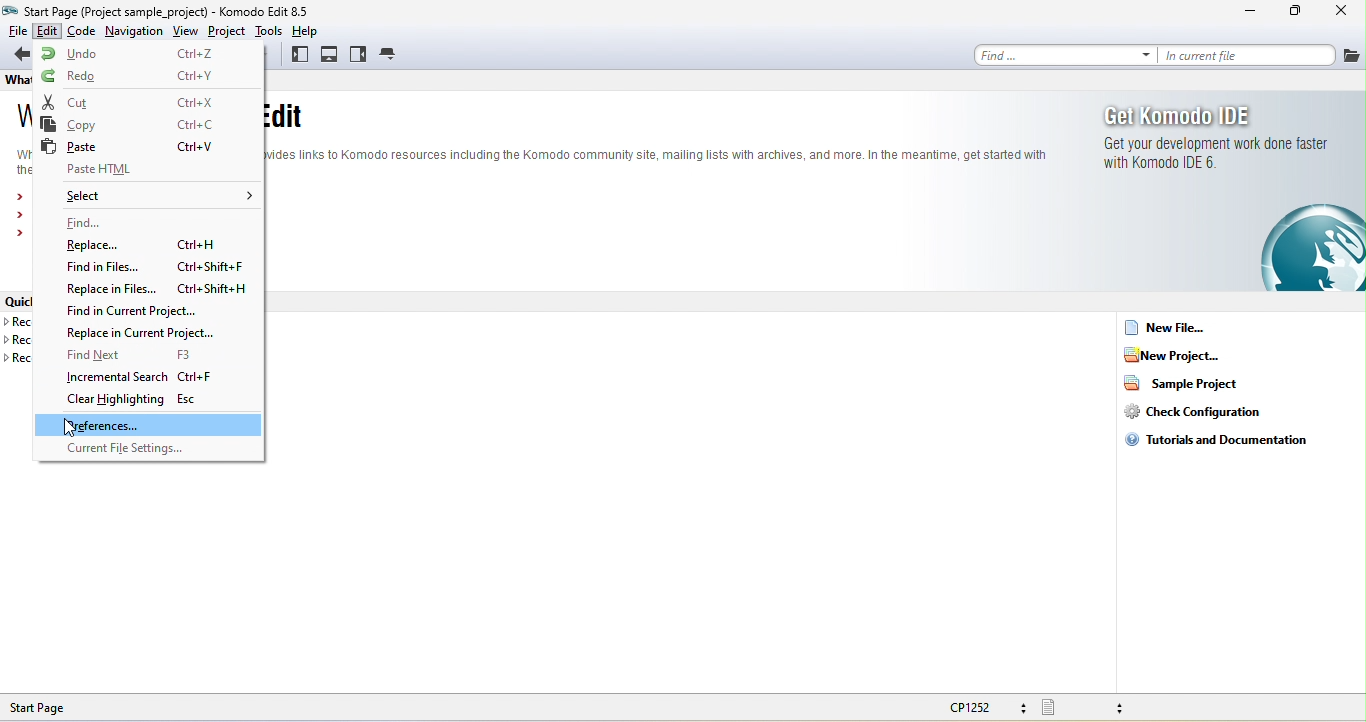 Image resolution: width=1366 pixels, height=722 pixels. Describe the element at coordinates (1065, 54) in the screenshot. I see `find` at that location.